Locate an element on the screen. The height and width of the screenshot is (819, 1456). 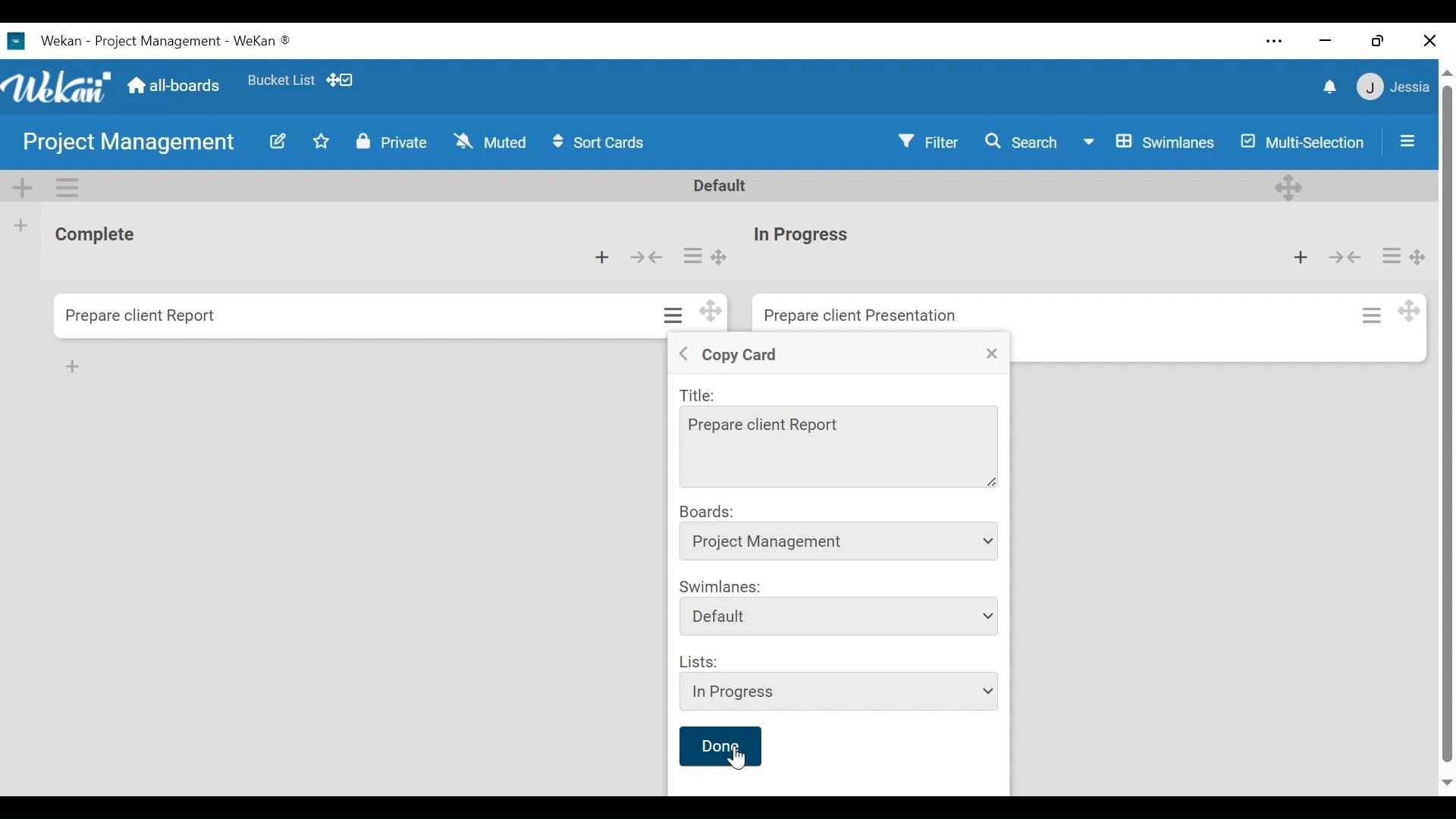
Add card to top of the list is located at coordinates (1305, 257).